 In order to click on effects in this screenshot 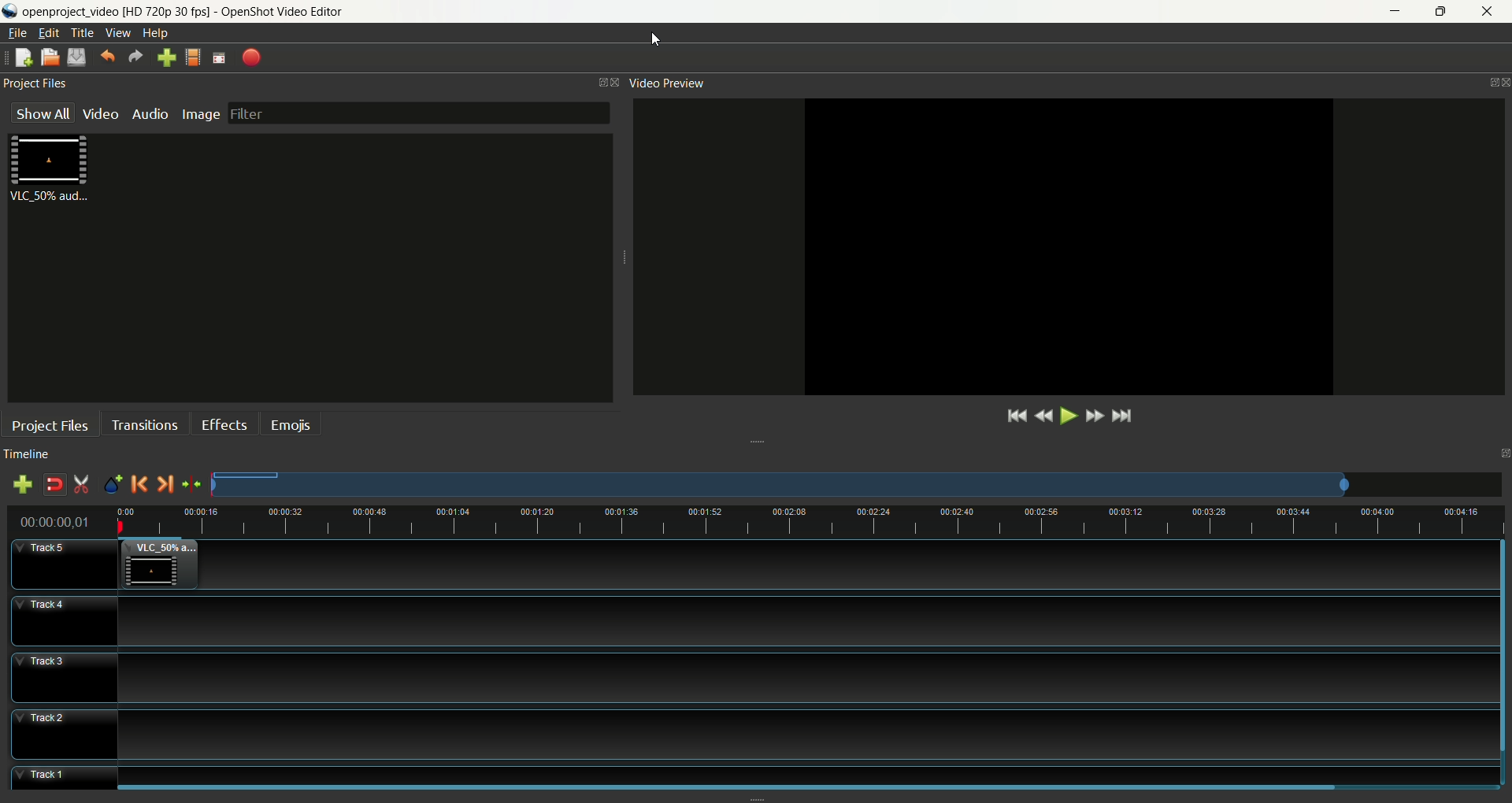, I will do `click(220, 423)`.